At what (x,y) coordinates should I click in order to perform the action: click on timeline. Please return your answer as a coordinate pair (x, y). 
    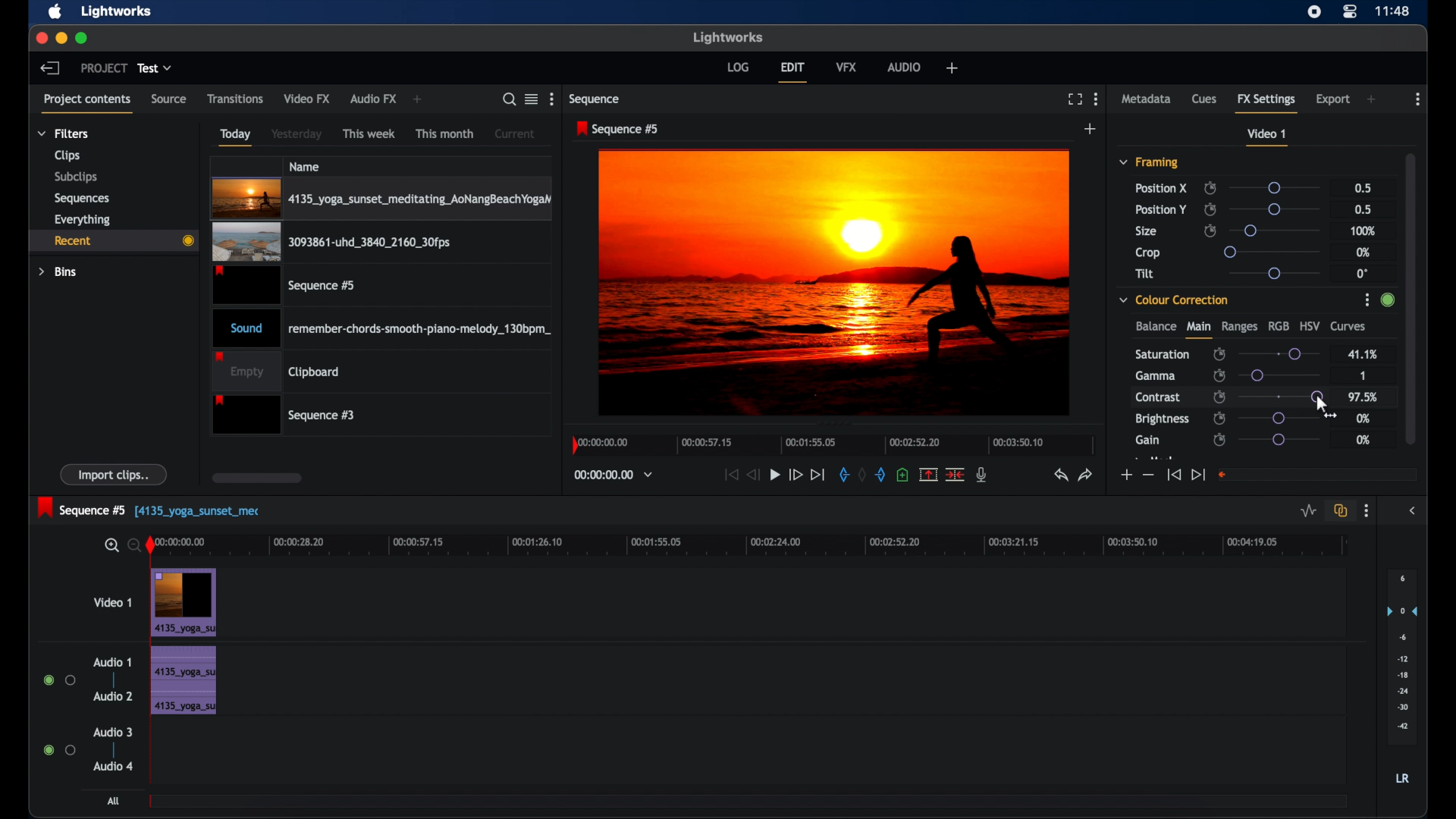
    Looking at the image, I should click on (830, 448).